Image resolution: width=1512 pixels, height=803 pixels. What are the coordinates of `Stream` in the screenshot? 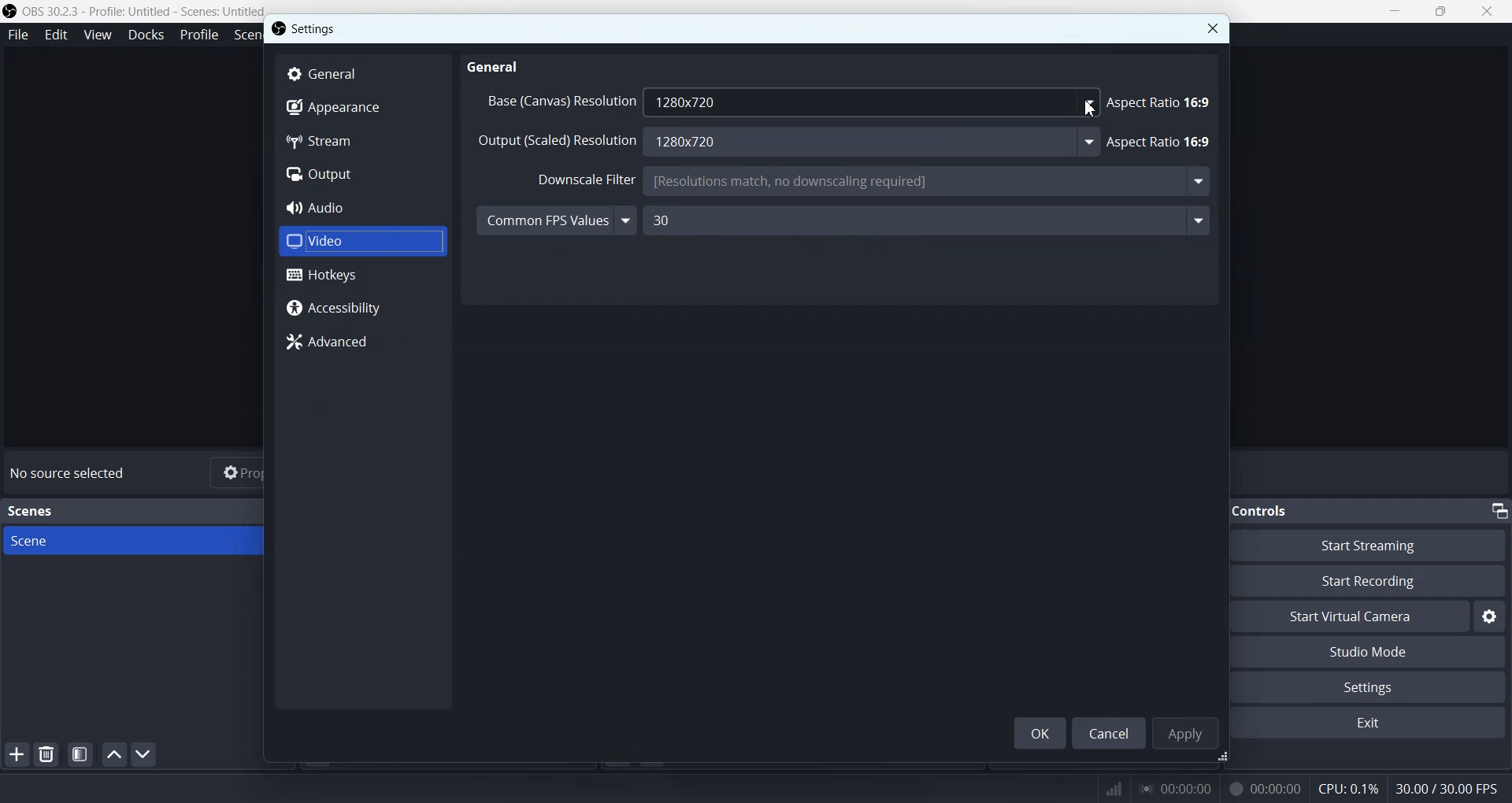 It's located at (362, 142).